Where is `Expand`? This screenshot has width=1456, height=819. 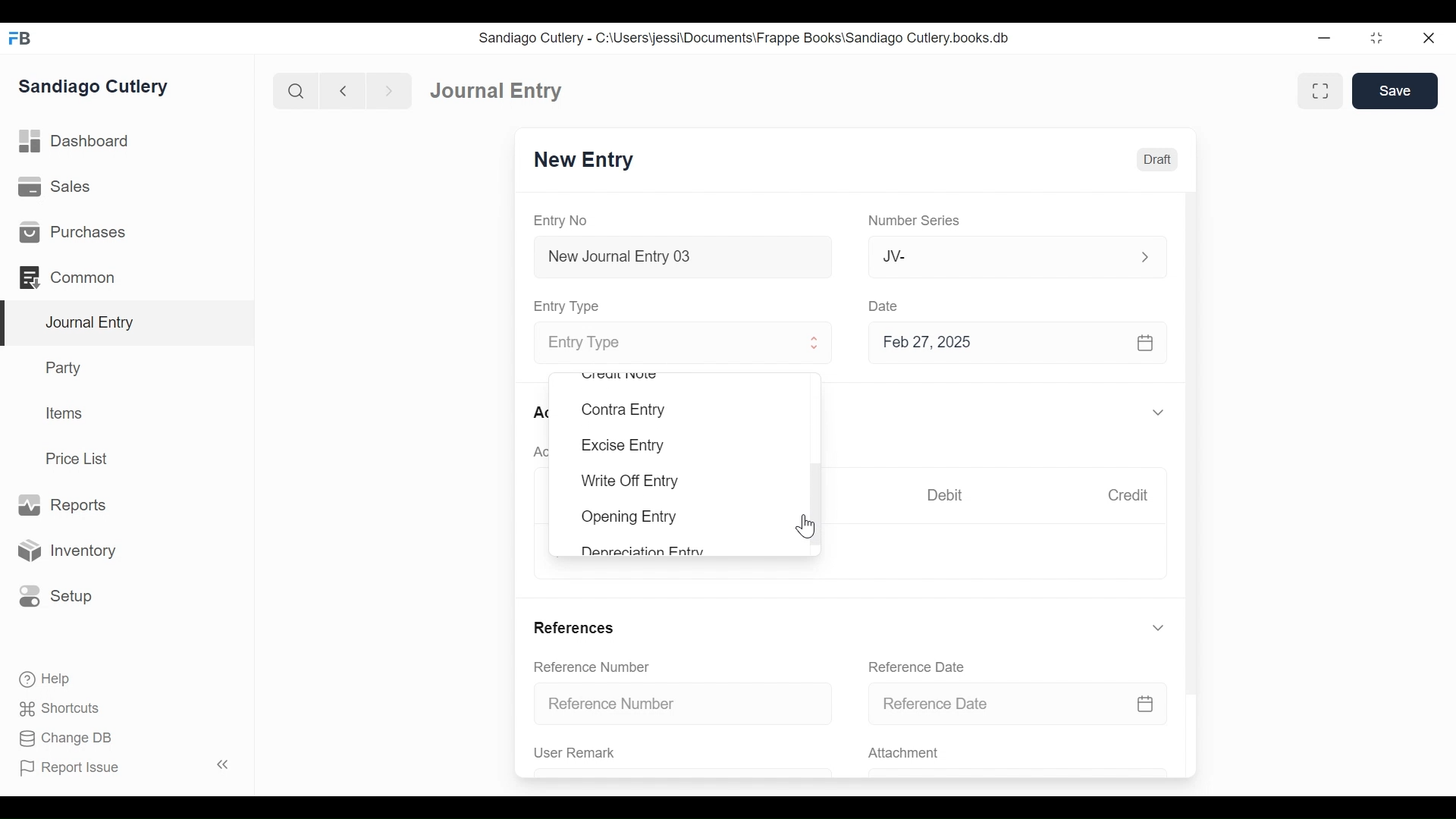 Expand is located at coordinates (1143, 256).